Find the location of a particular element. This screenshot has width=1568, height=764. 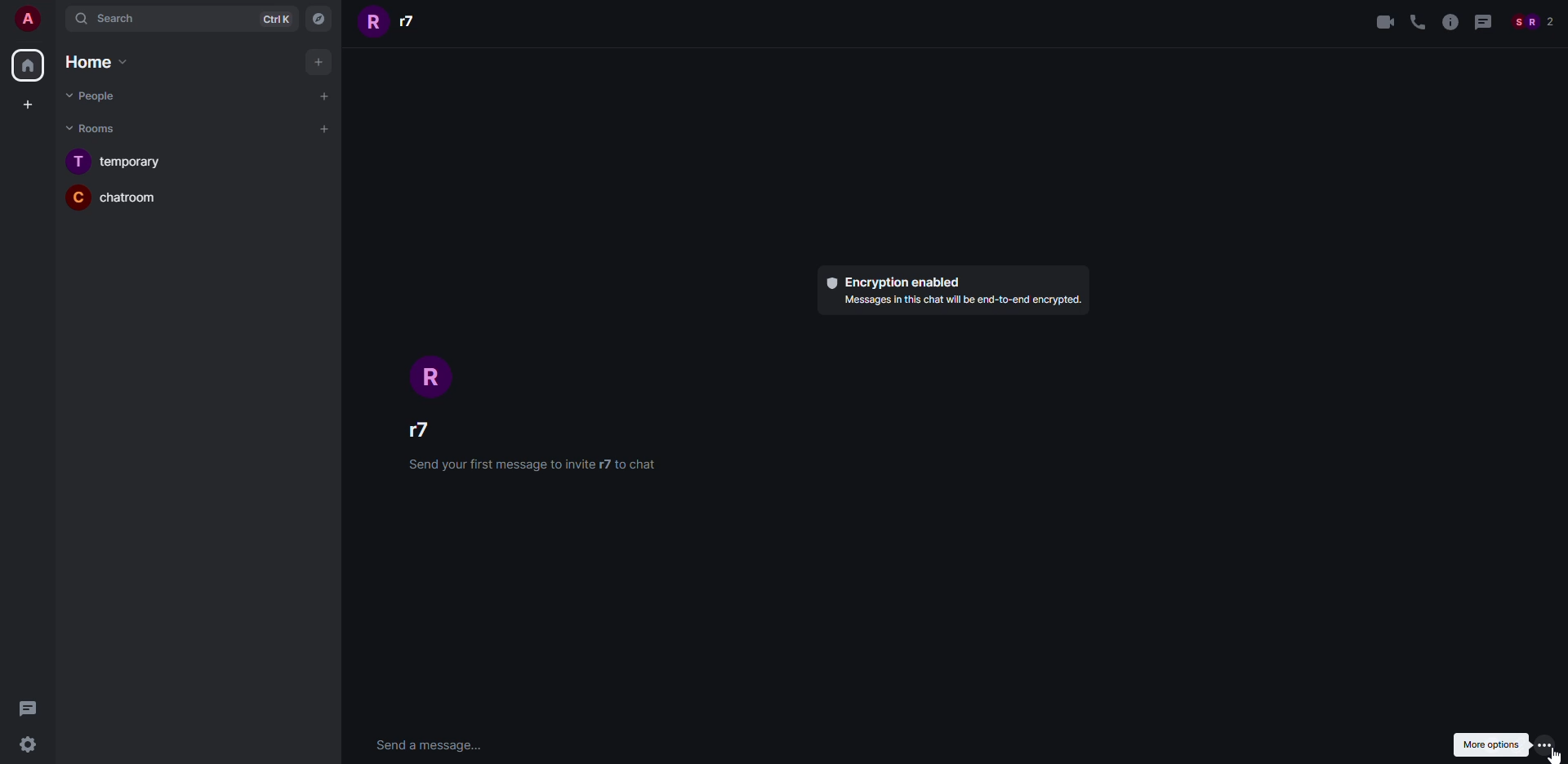

Home is located at coordinates (26, 65).